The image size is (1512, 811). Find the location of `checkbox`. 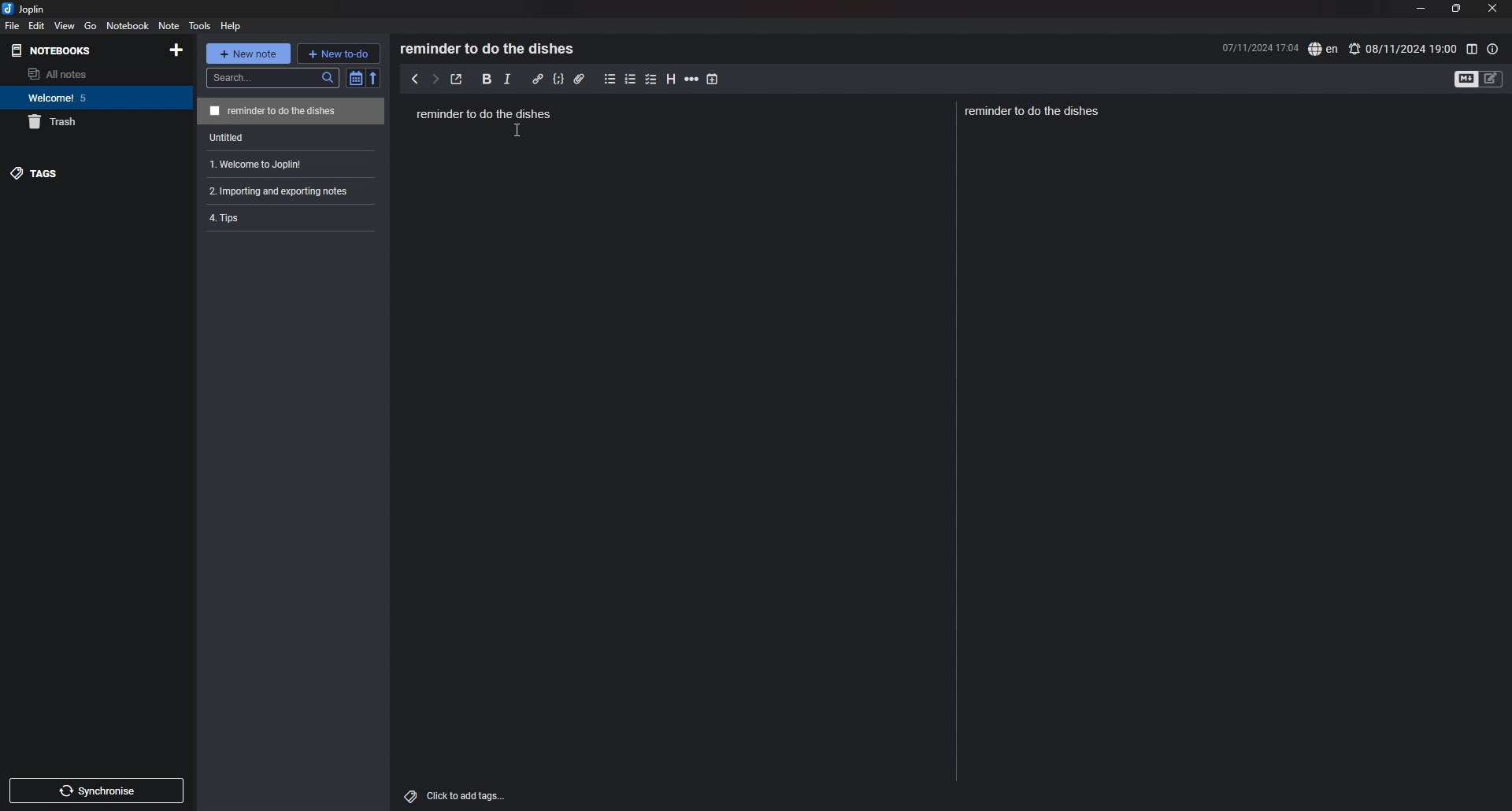

checkbox is located at coordinates (652, 80).